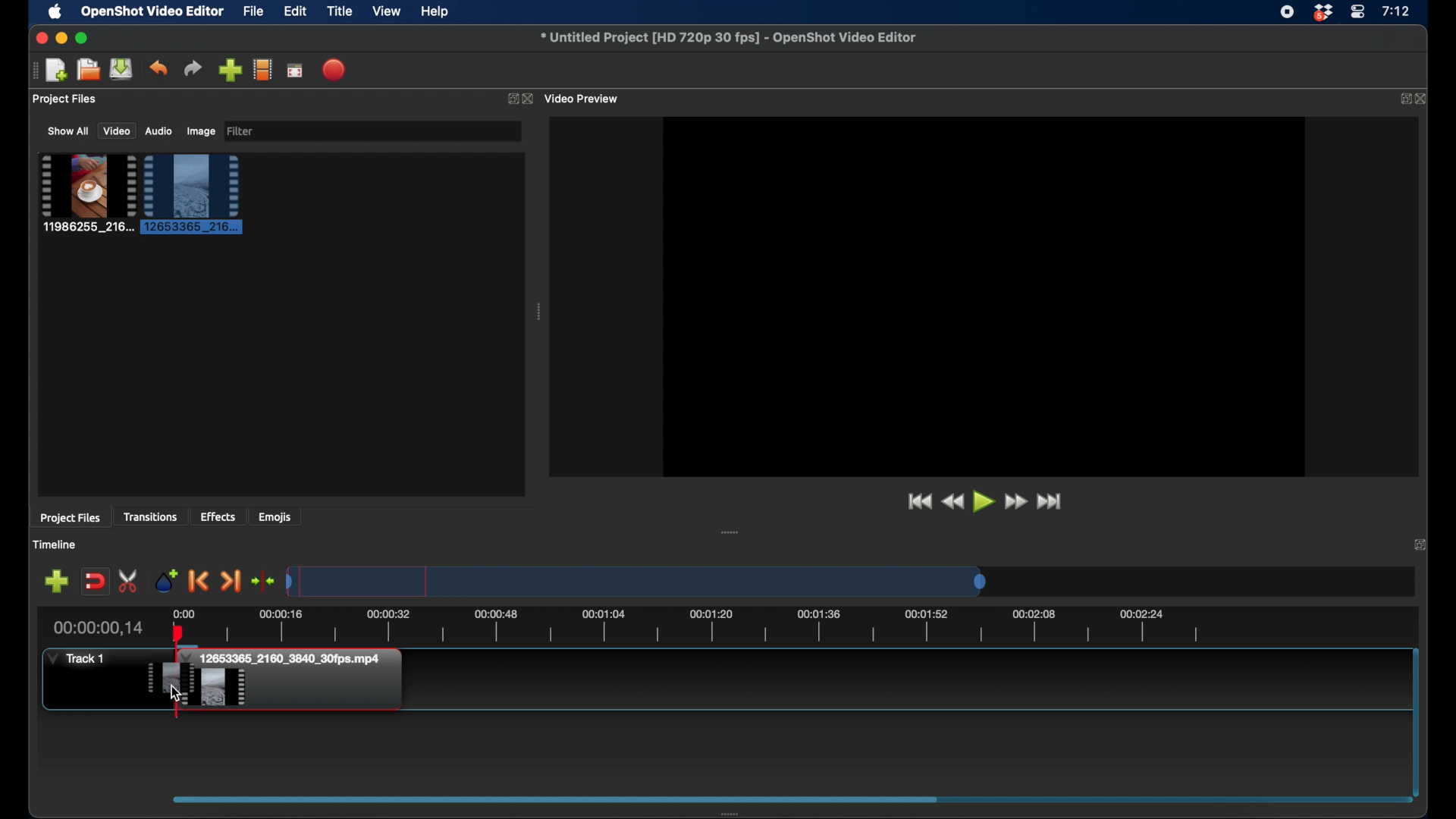  I want to click on effects, so click(218, 516).